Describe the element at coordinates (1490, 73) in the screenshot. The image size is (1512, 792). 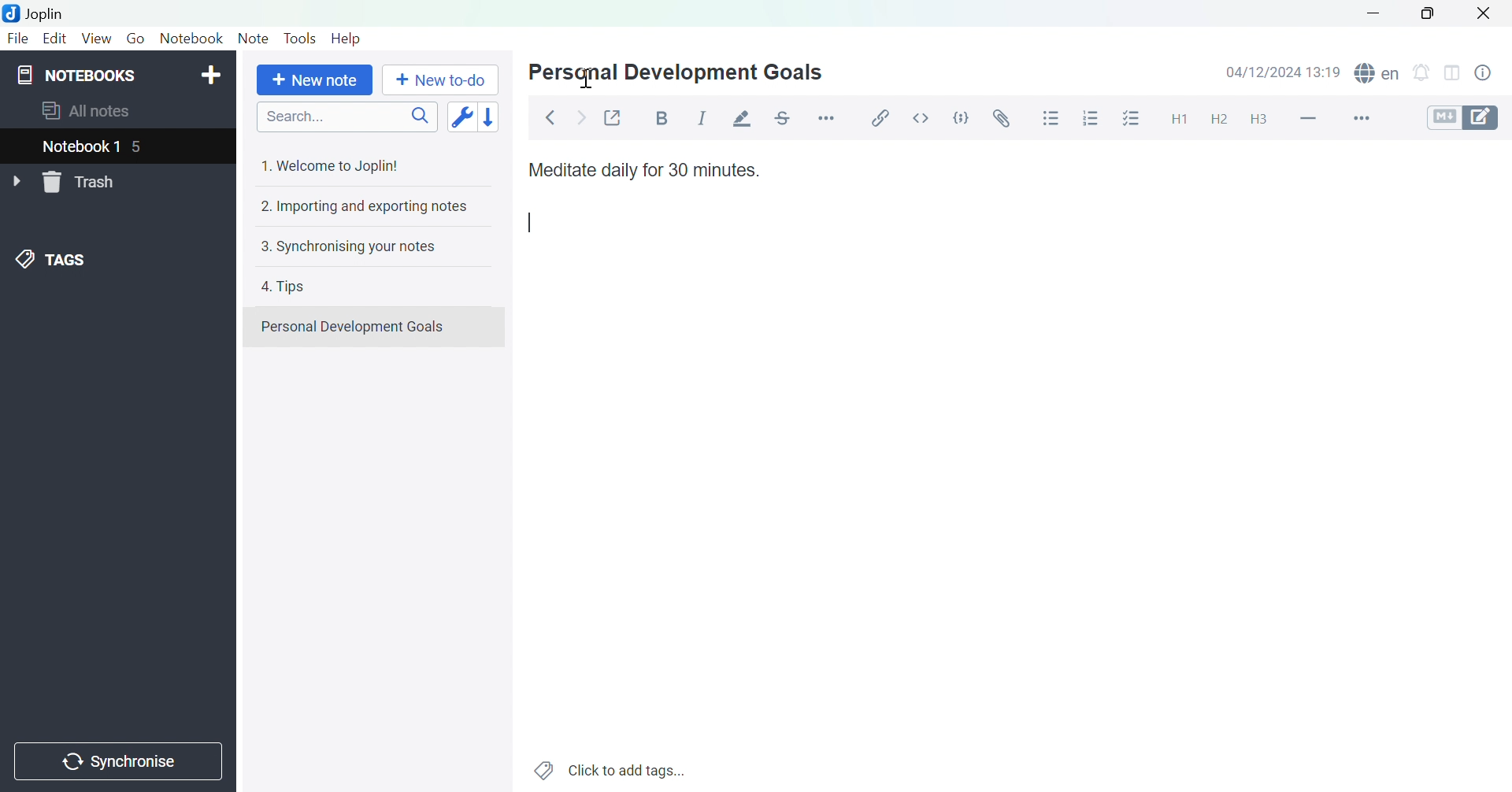
I see `Note properties` at that location.